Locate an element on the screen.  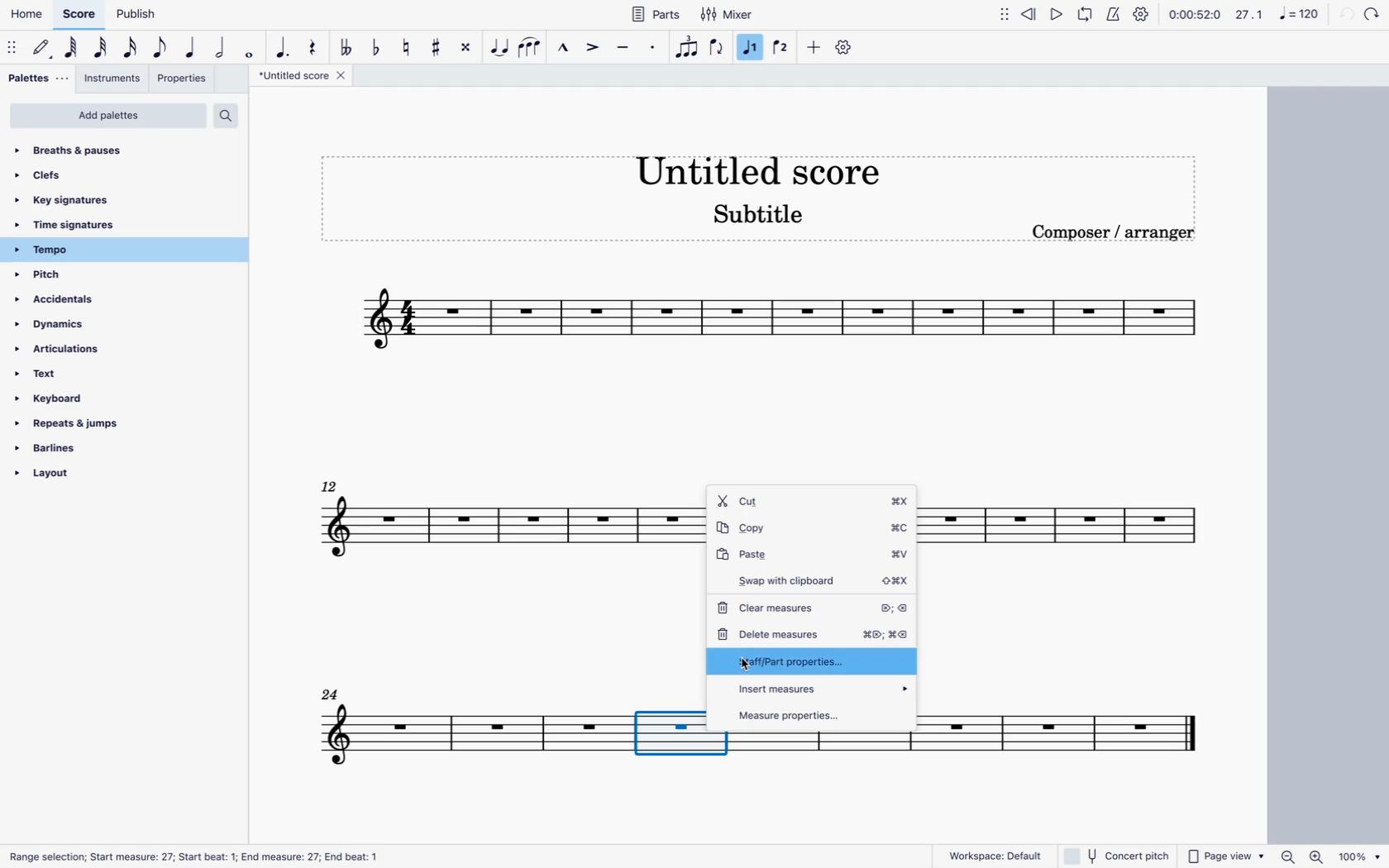
selected voice  is located at coordinates (751, 46).